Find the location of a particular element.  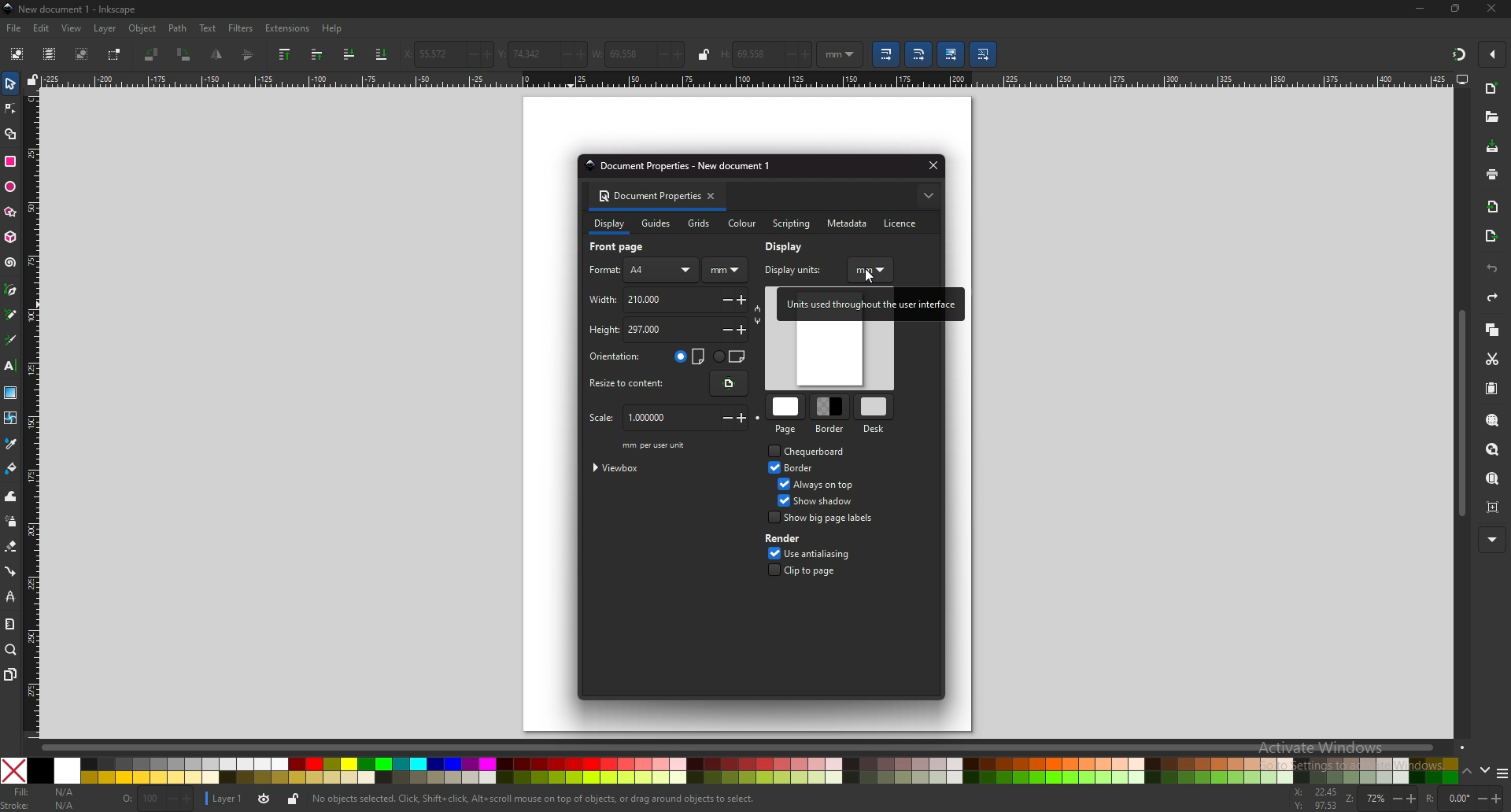

selector is located at coordinates (10, 83).